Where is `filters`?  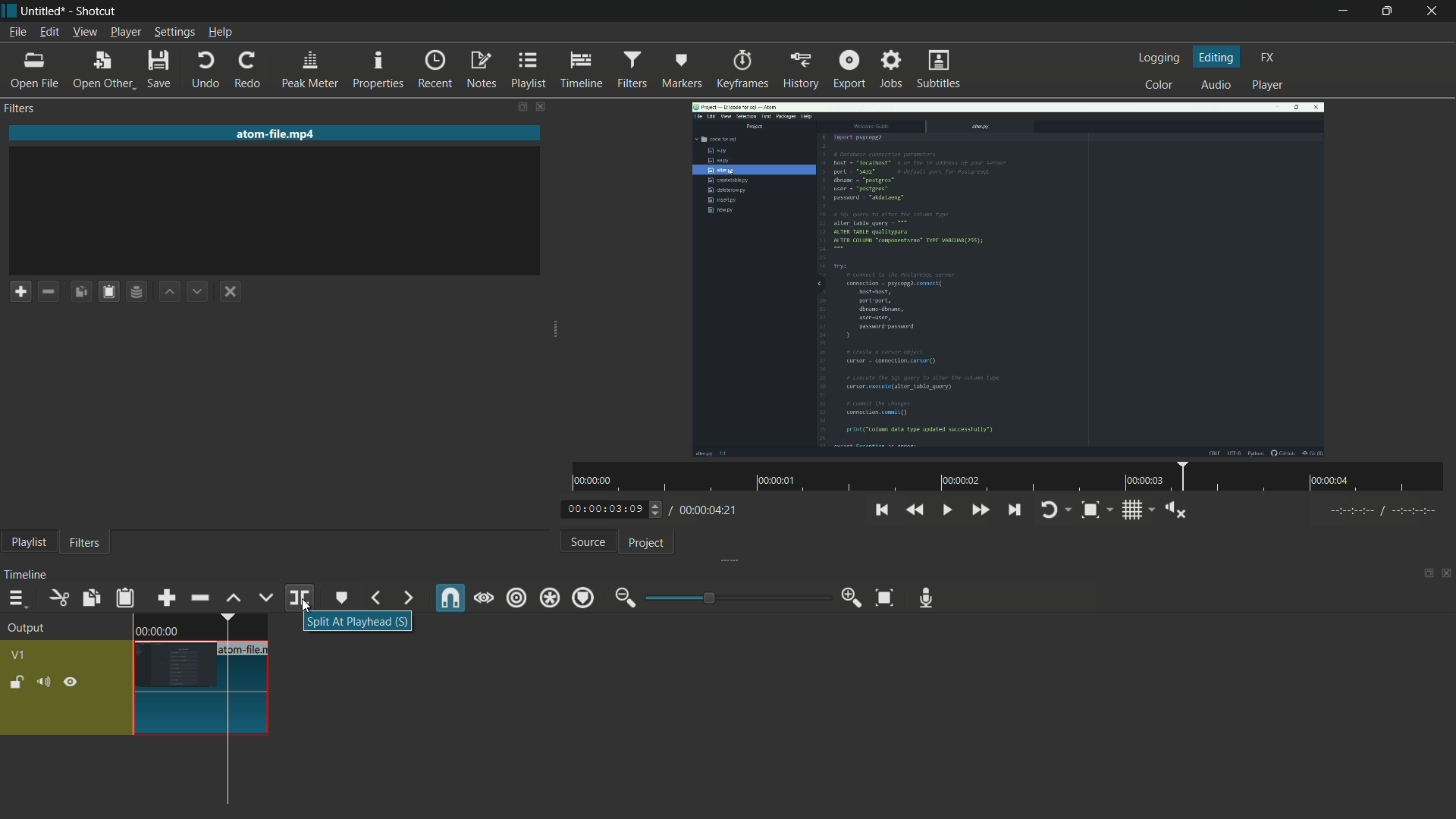
filters is located at coordinates (631, 71).